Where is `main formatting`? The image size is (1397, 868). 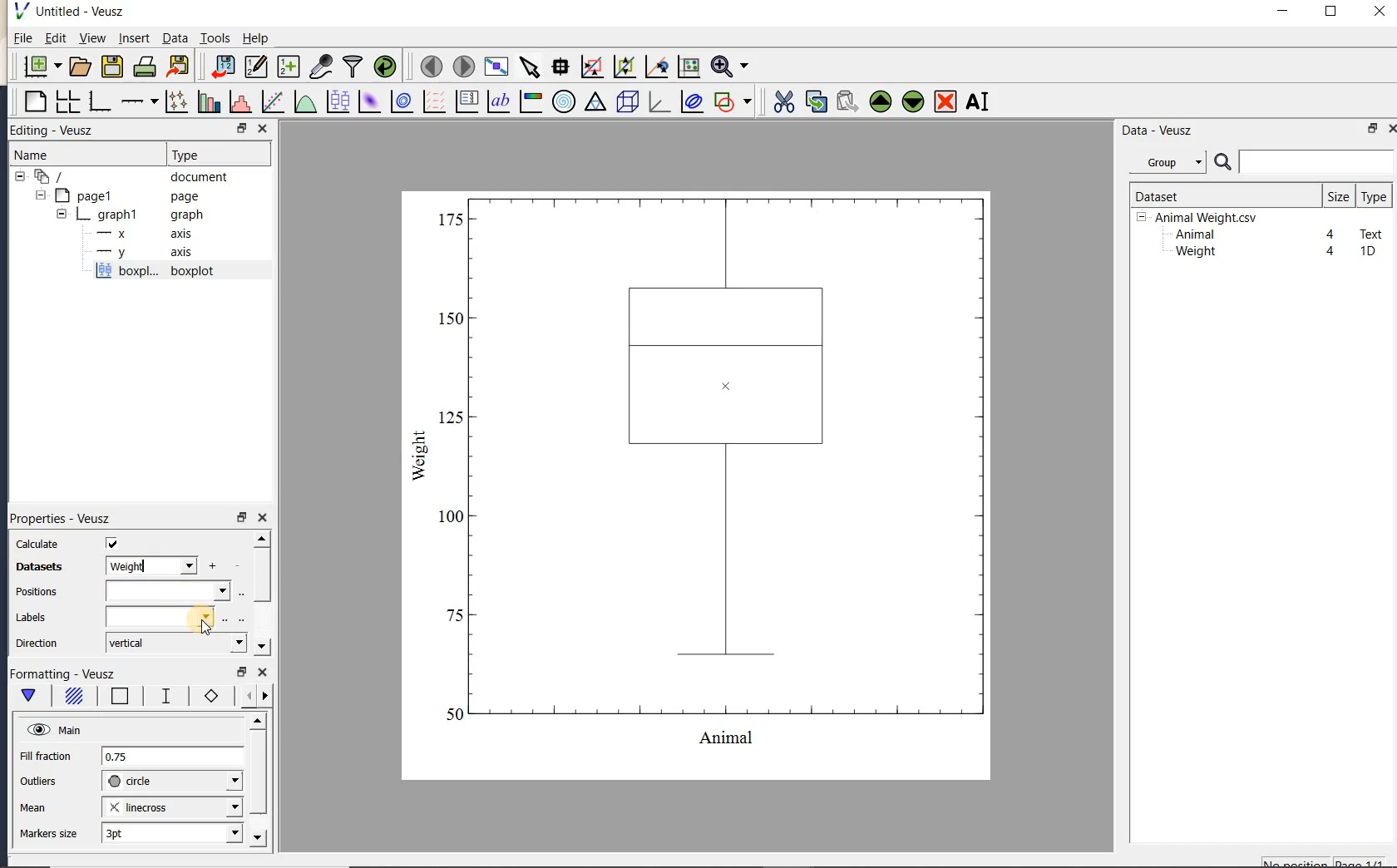
main formatting is located at coordinates (28, 698).